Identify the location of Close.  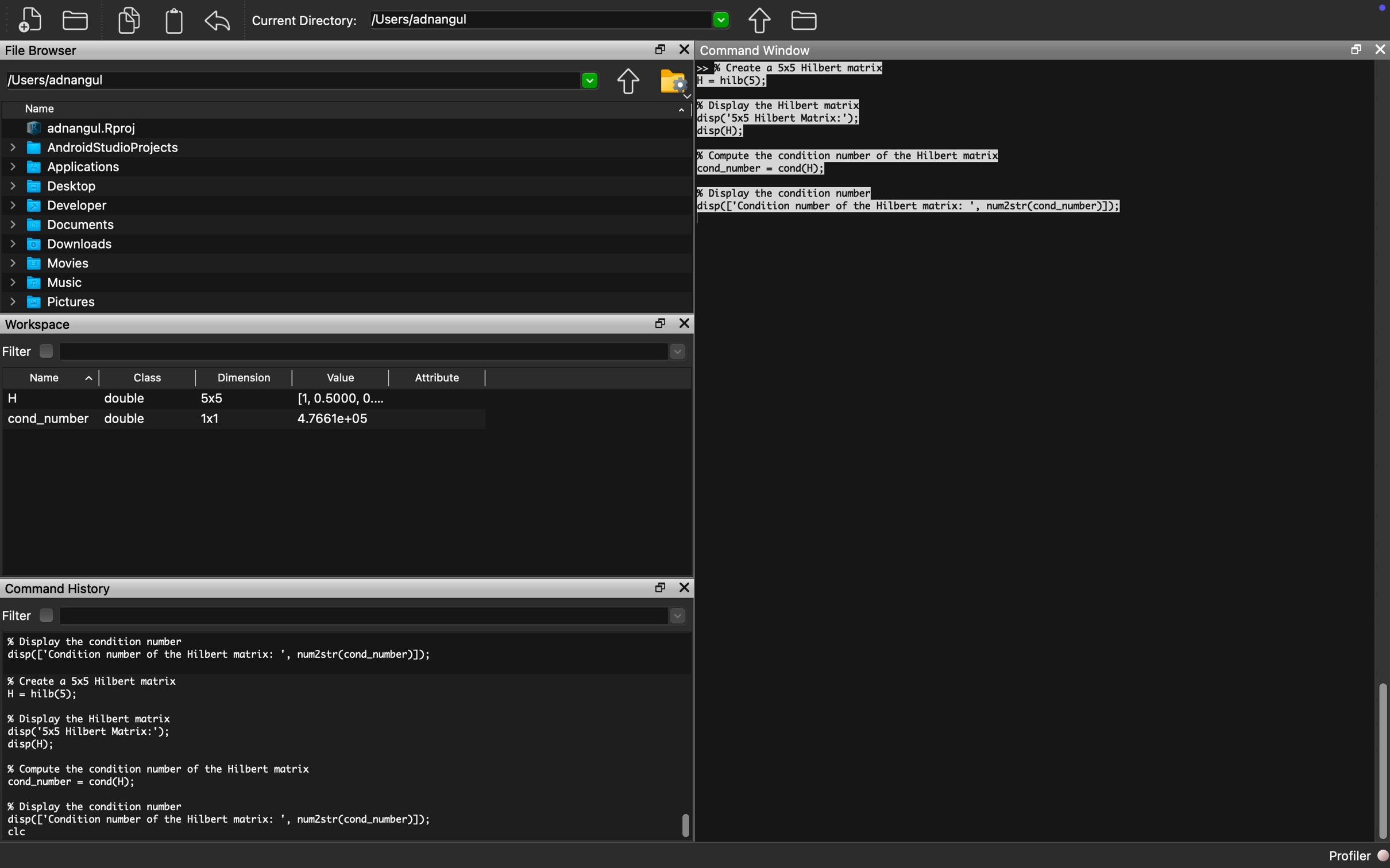
(1380, 50).